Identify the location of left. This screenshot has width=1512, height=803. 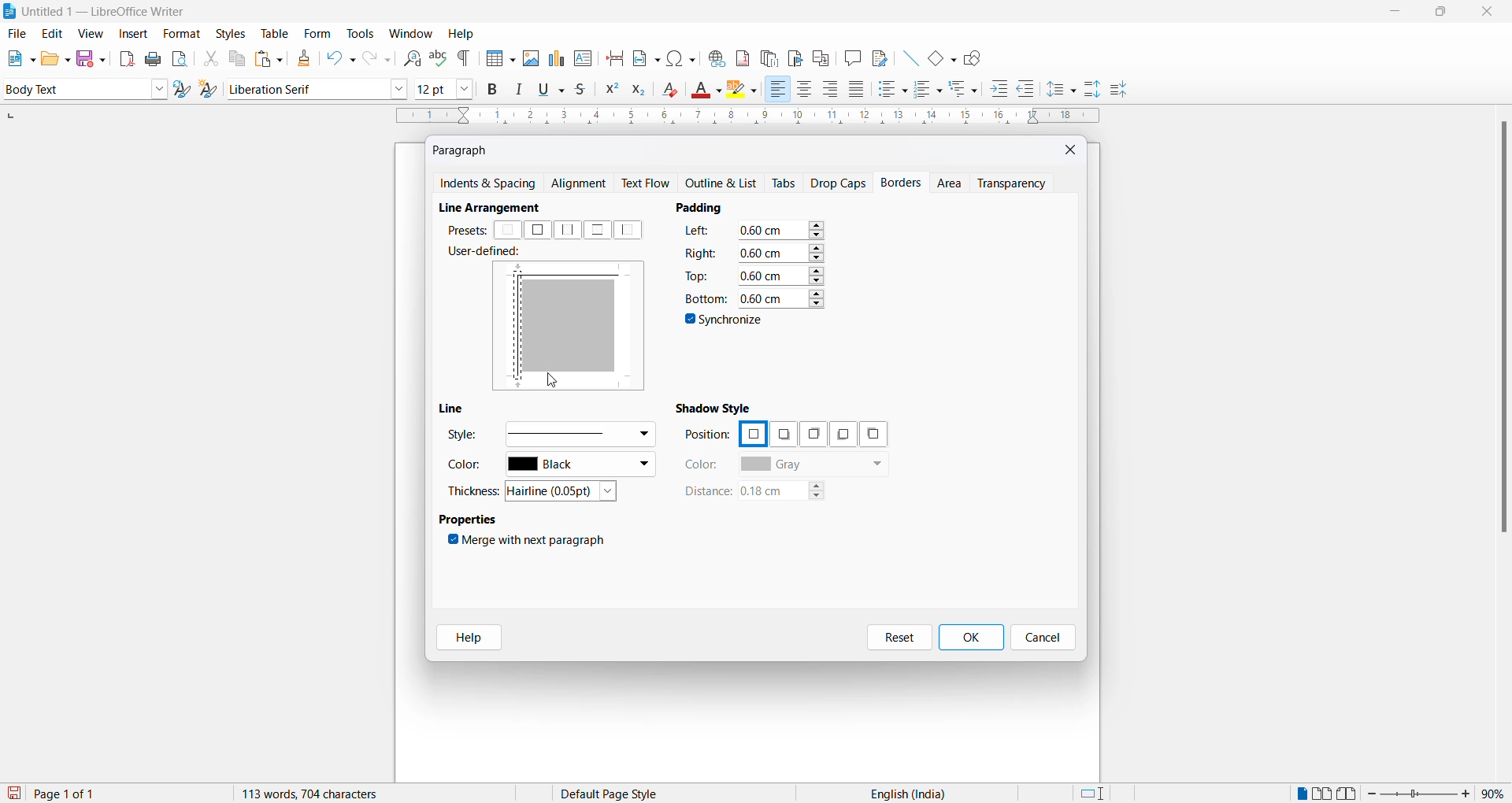
(632, 230).